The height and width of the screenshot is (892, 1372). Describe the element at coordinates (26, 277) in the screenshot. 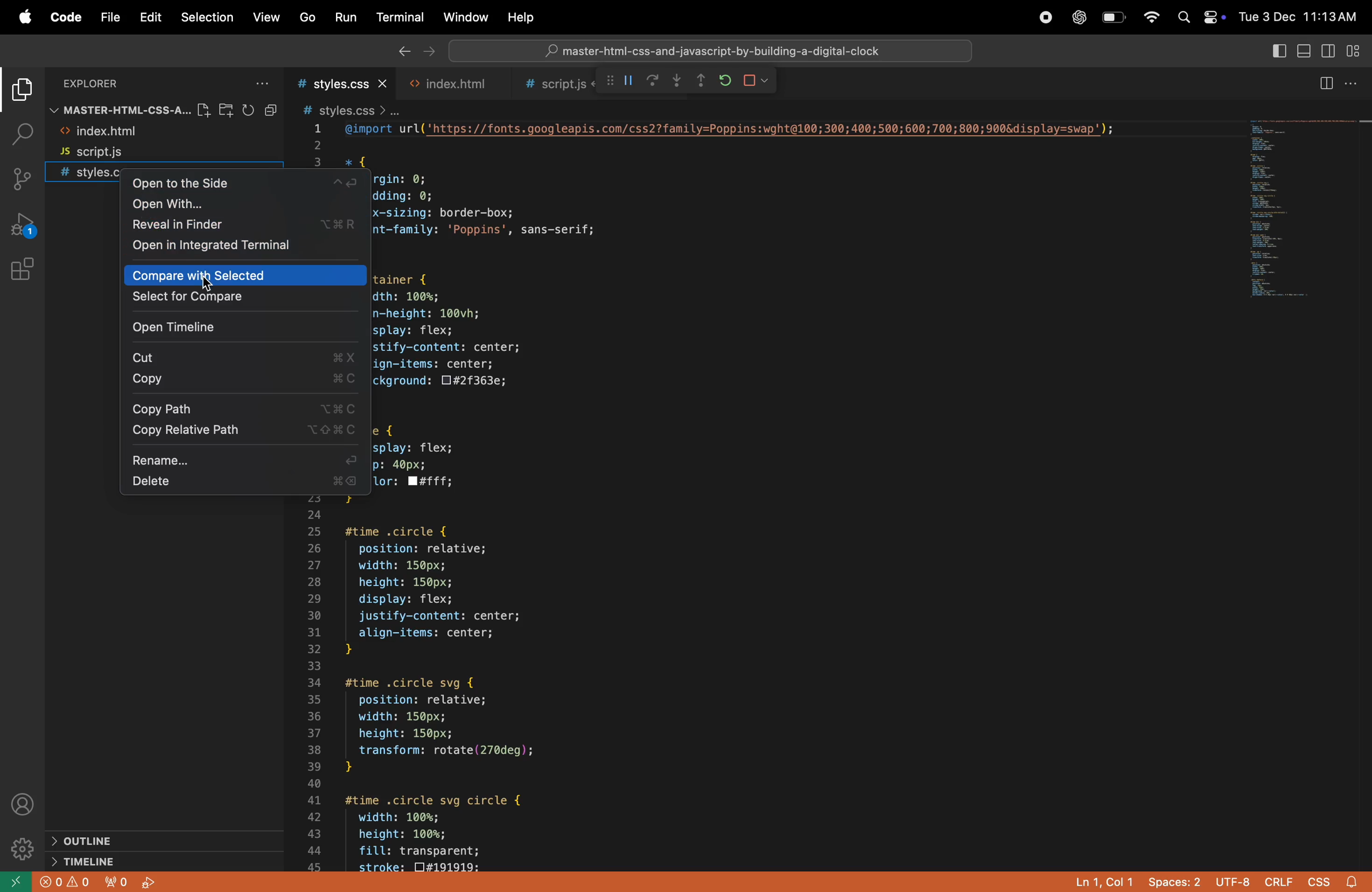

I see `extinsions` at that location.